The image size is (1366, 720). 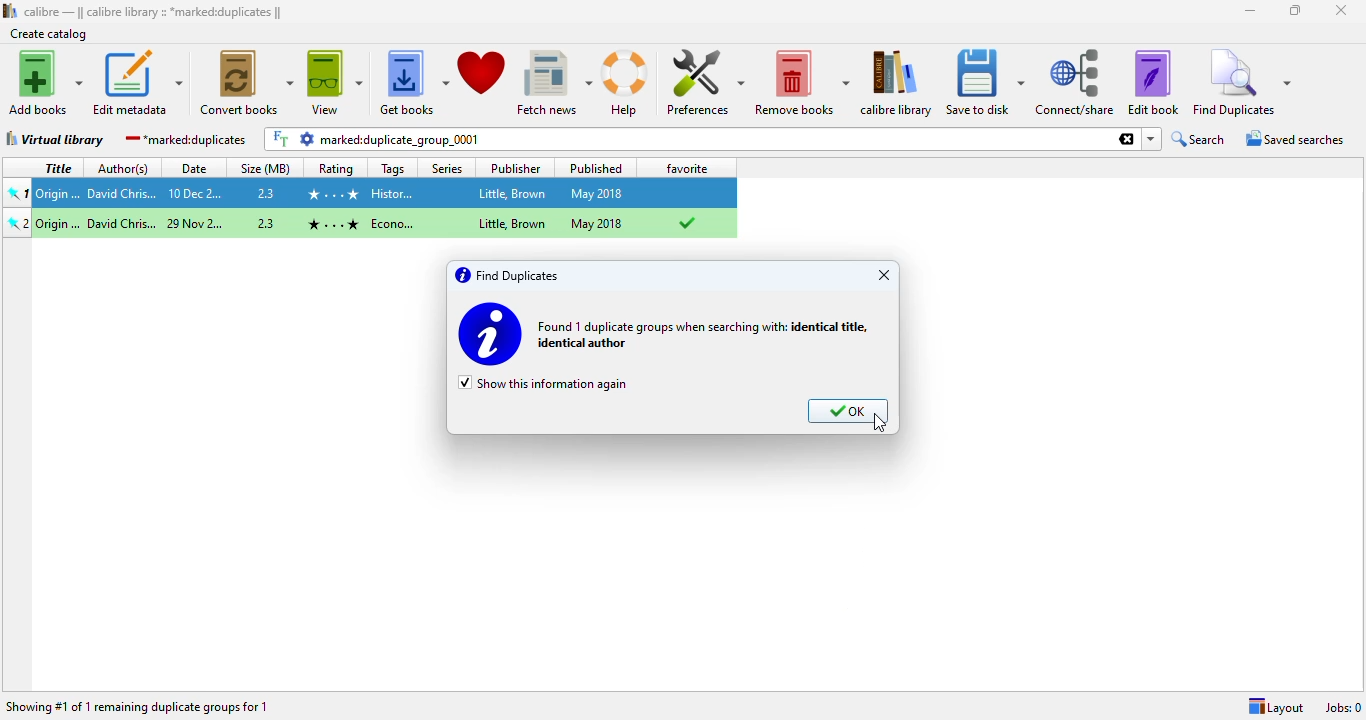 What do you see at coordinates (1198, 139) in the screenshot?
I see `search` at bounding box center [1198, 139].